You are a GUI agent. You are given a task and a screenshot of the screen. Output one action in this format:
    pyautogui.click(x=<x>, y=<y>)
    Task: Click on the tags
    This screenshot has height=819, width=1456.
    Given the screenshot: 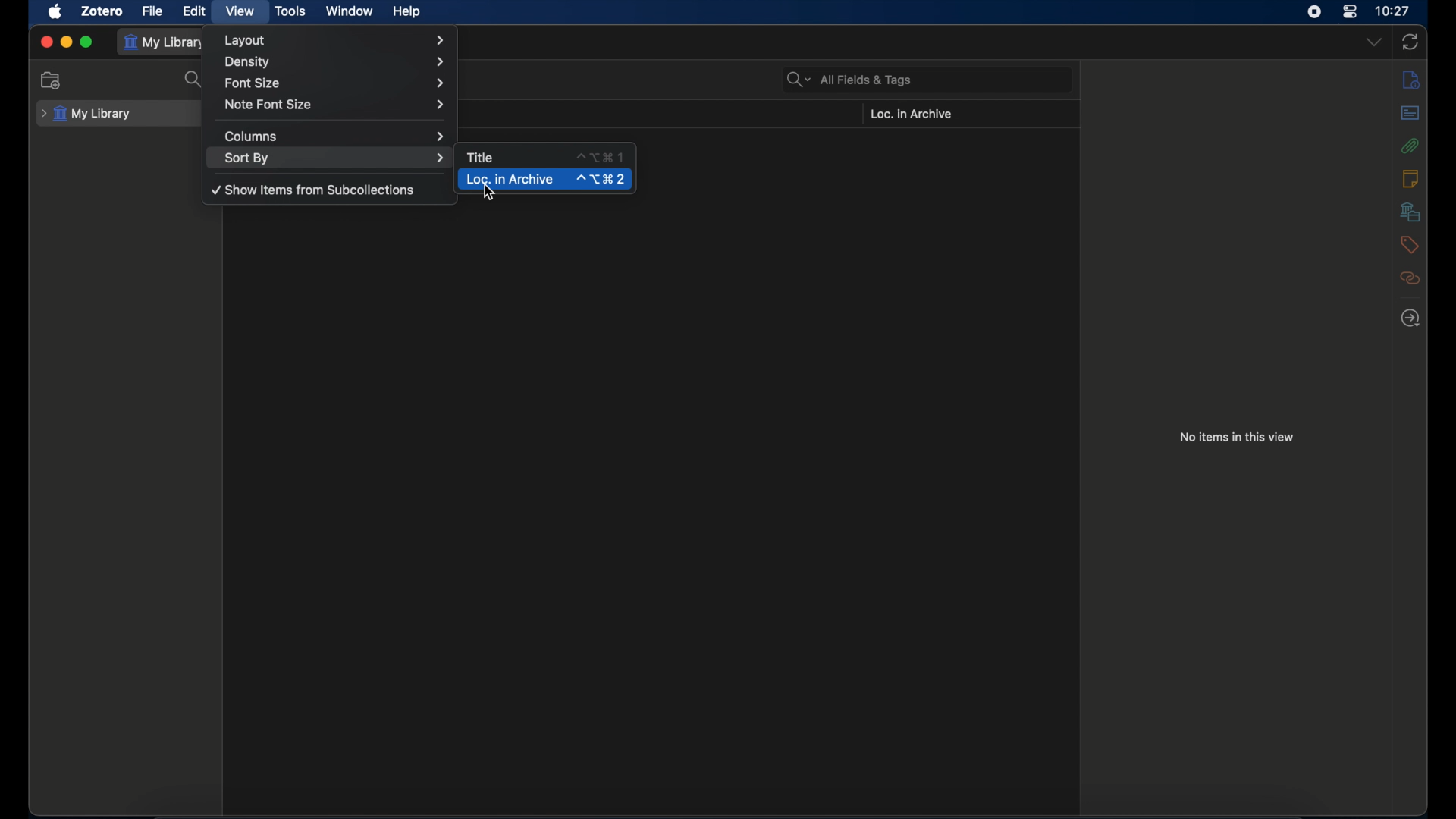 What is the action you would take?
    pyautogui.click(x=1407, y=245)
    